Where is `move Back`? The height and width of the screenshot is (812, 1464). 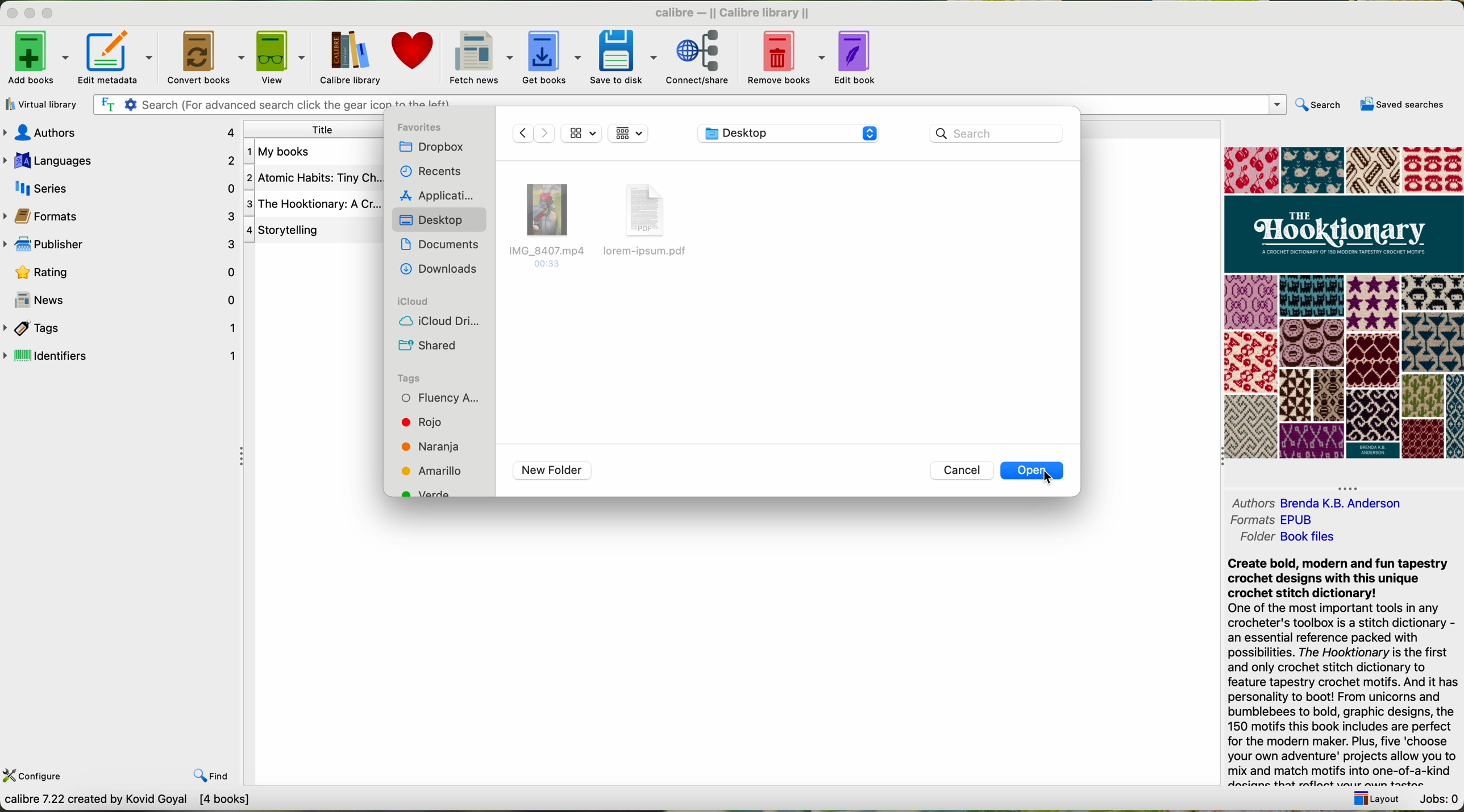 move Back is located at coordinates (521, 134).